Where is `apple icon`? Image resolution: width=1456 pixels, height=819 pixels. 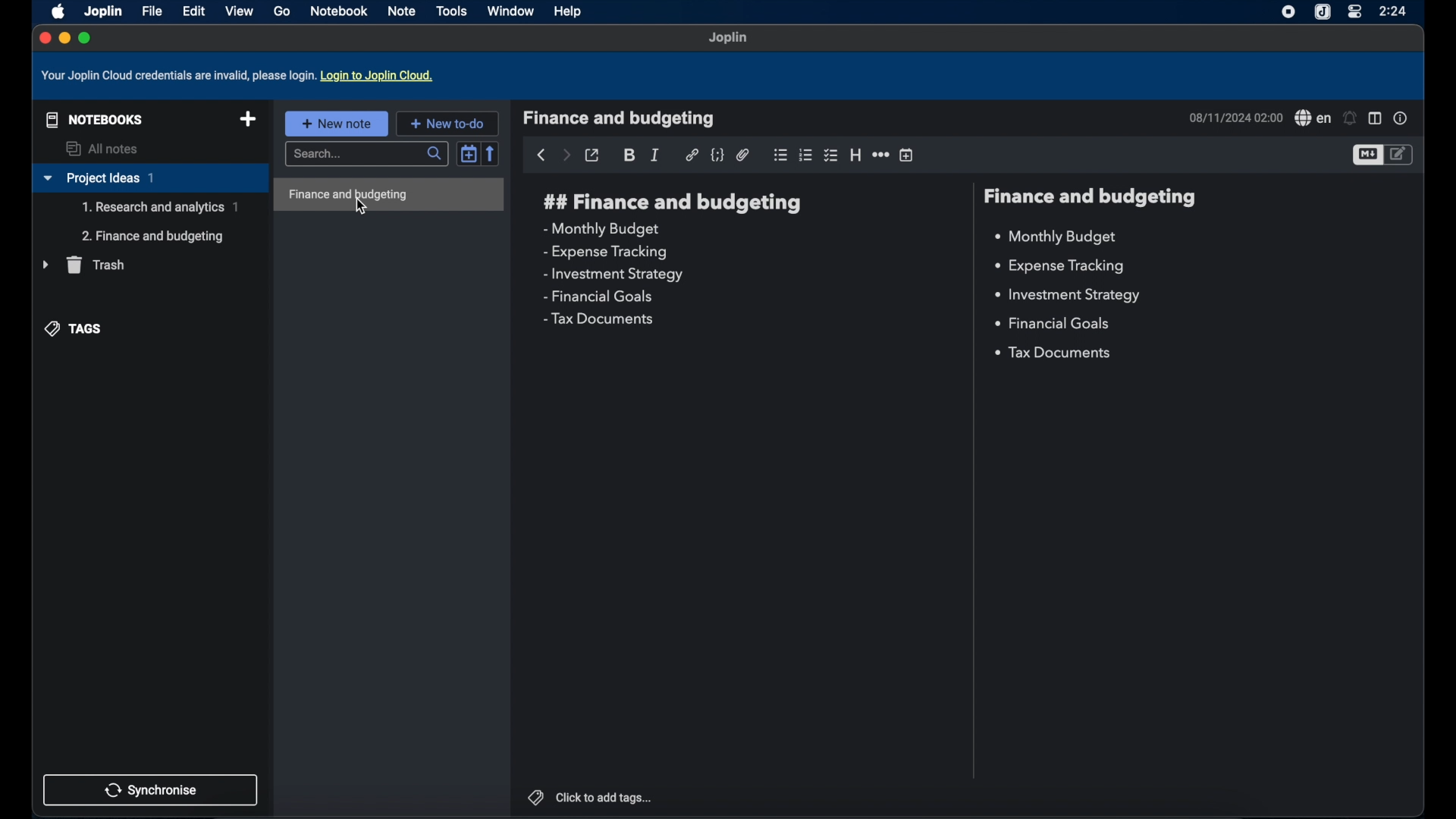 apple icon is located at coordinates (55, 11).